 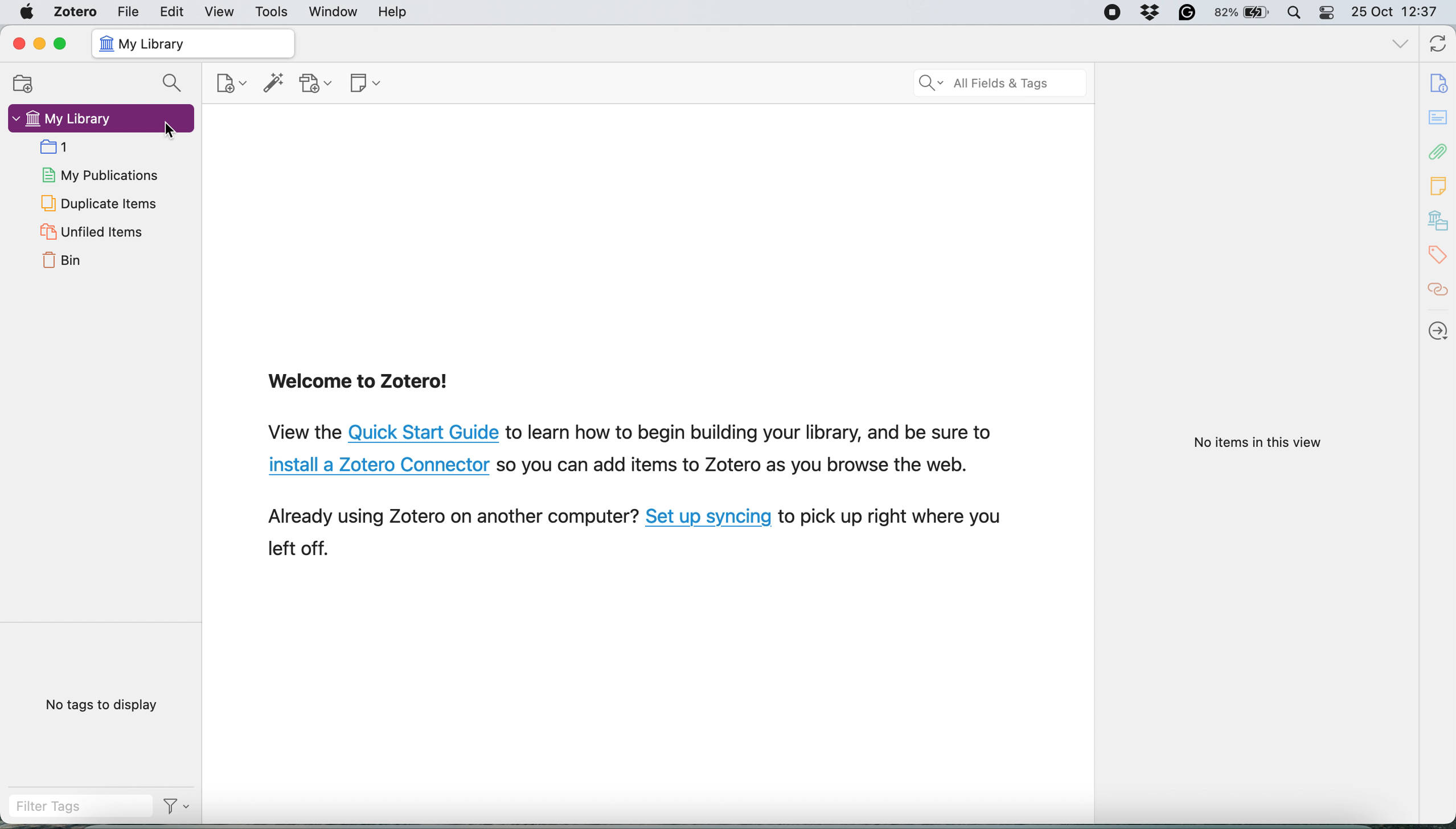 What do you see at coordinates (336, 12) in the screenshot?
I see `window` at bounding box center [336, 12].